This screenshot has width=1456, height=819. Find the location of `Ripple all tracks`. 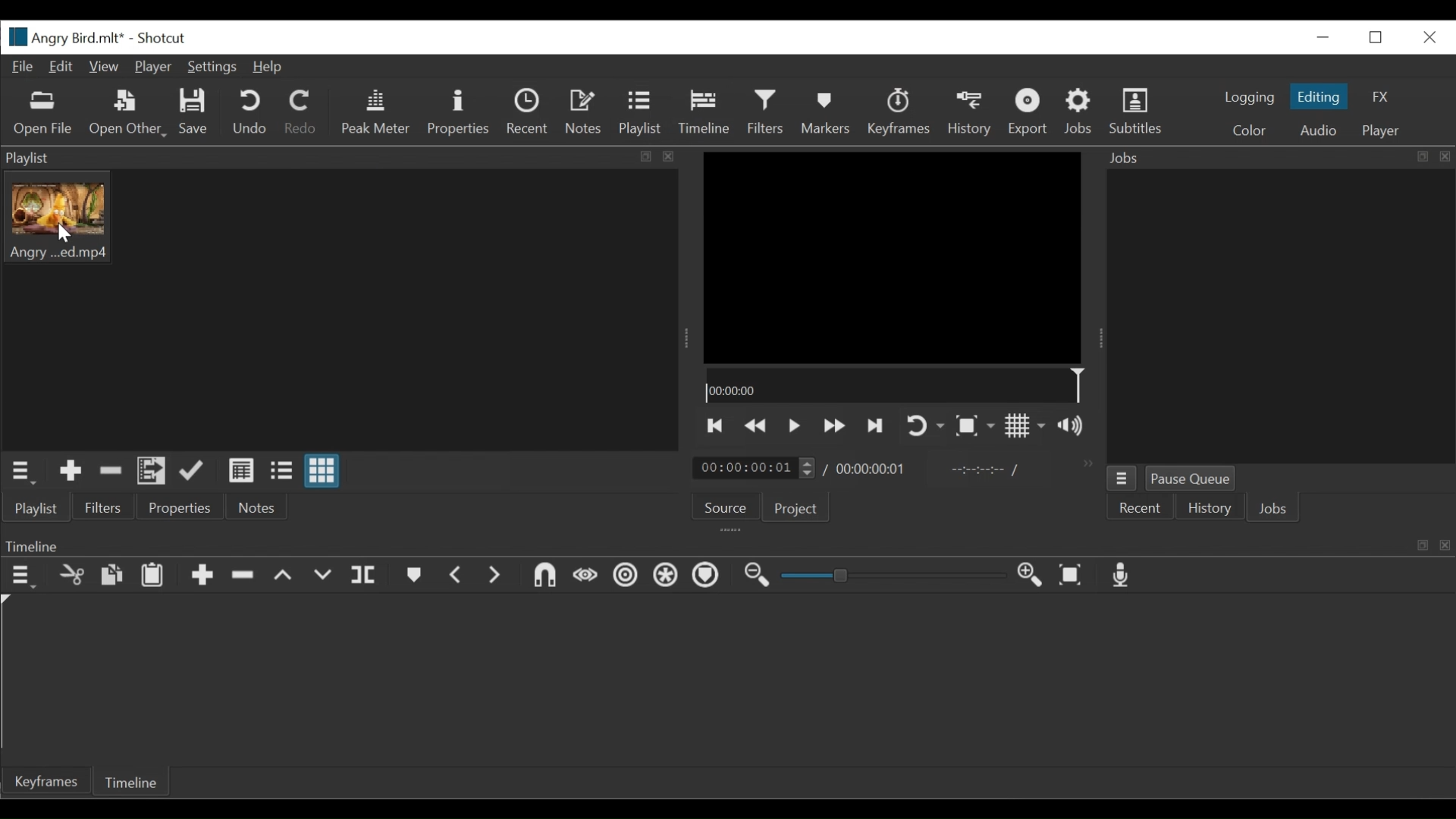

Ripple all tracks is located at coordinates (664, 575).